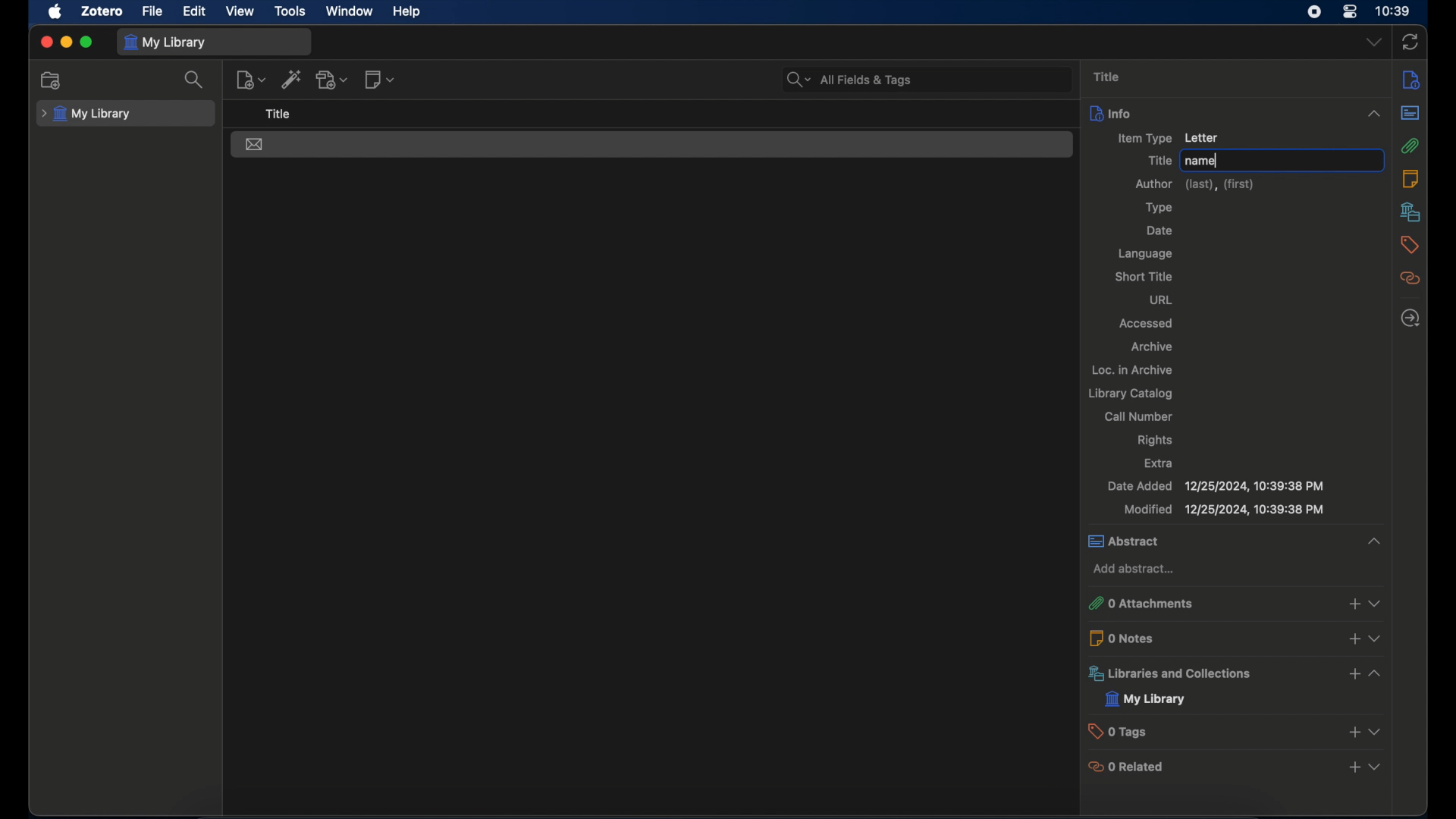 This screenshot has height=819, width=1456. What do you see at coordinates (378, 80) in the screenshot?
I see `new note` at bounding box center [378, 80].